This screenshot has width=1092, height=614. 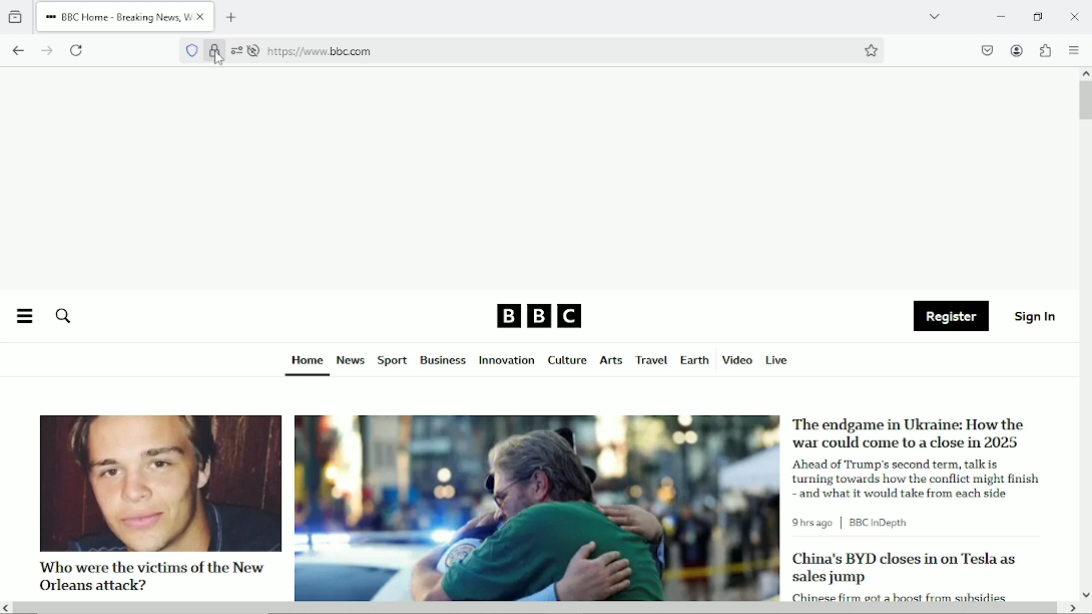 What do you see at coordinates (1085, 73) in the screenshot?
I see `scroll up` at bounding box center [1085, 73].